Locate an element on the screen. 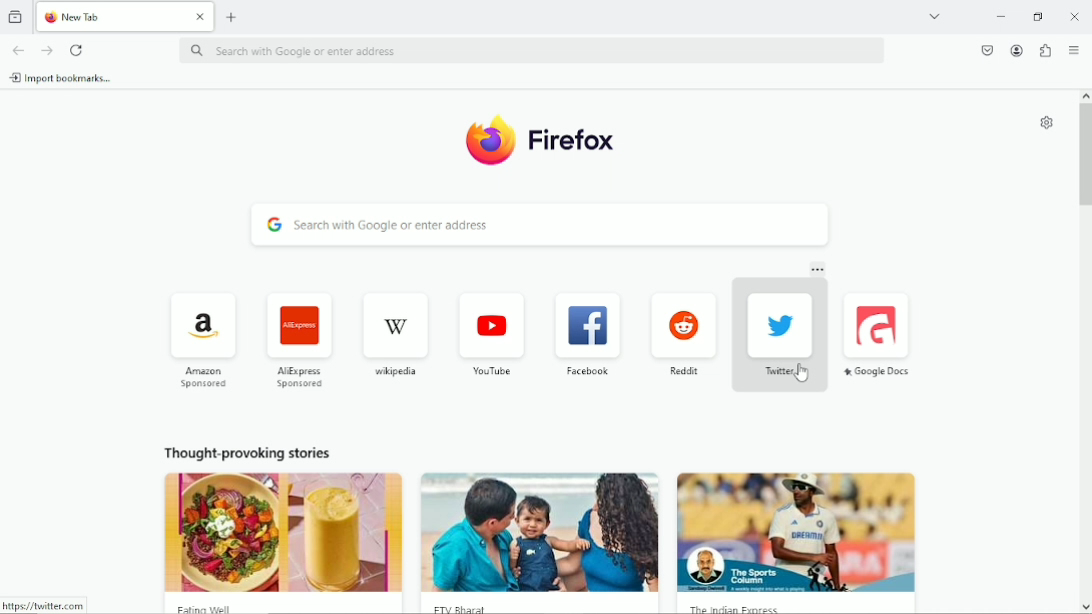 The height and width of the screenshot is (614, 1092). Cursor is located at coordinates (802, 373).